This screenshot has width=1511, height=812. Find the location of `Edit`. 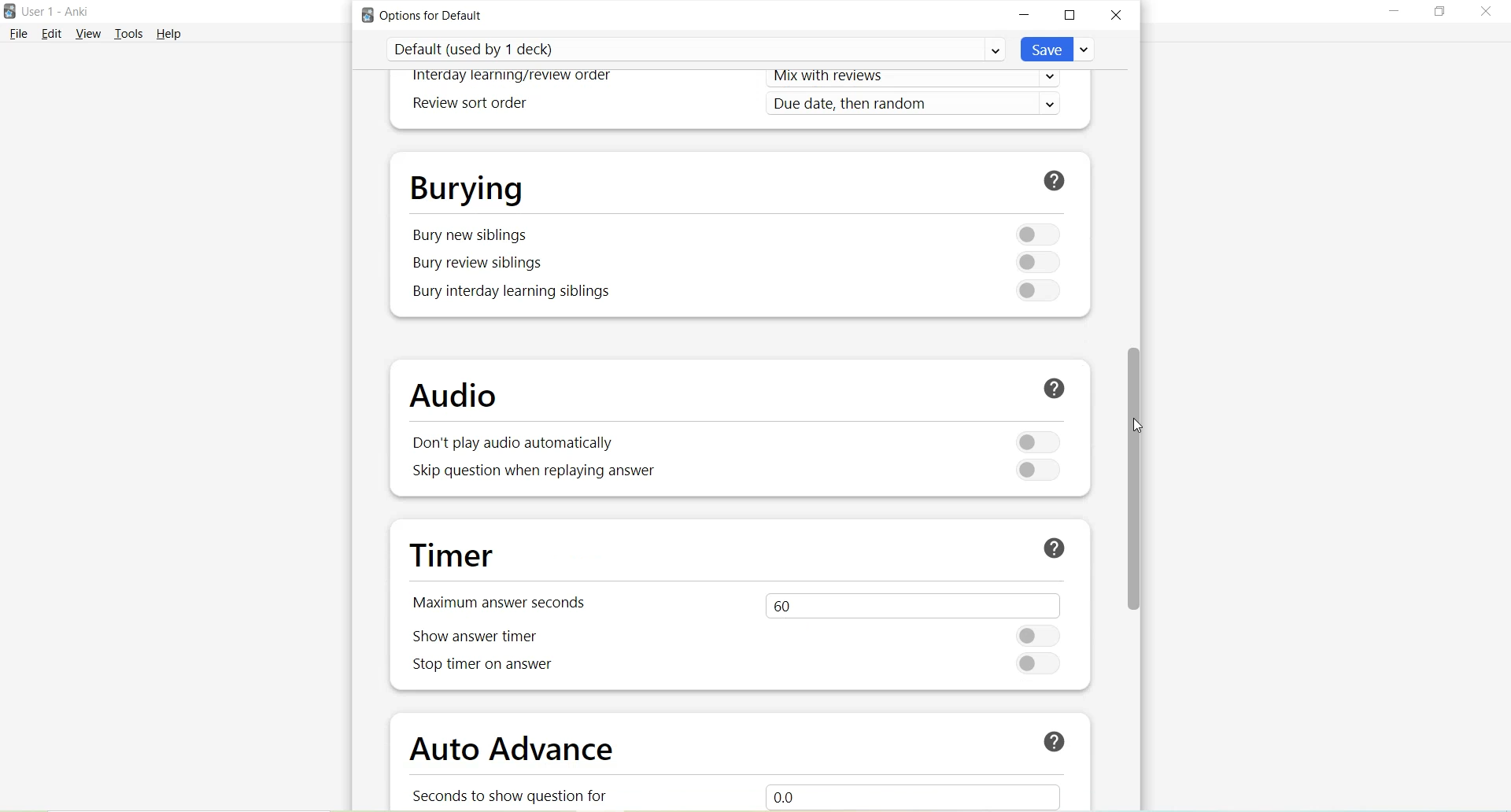

Edit is located at coordinates (53, 33).